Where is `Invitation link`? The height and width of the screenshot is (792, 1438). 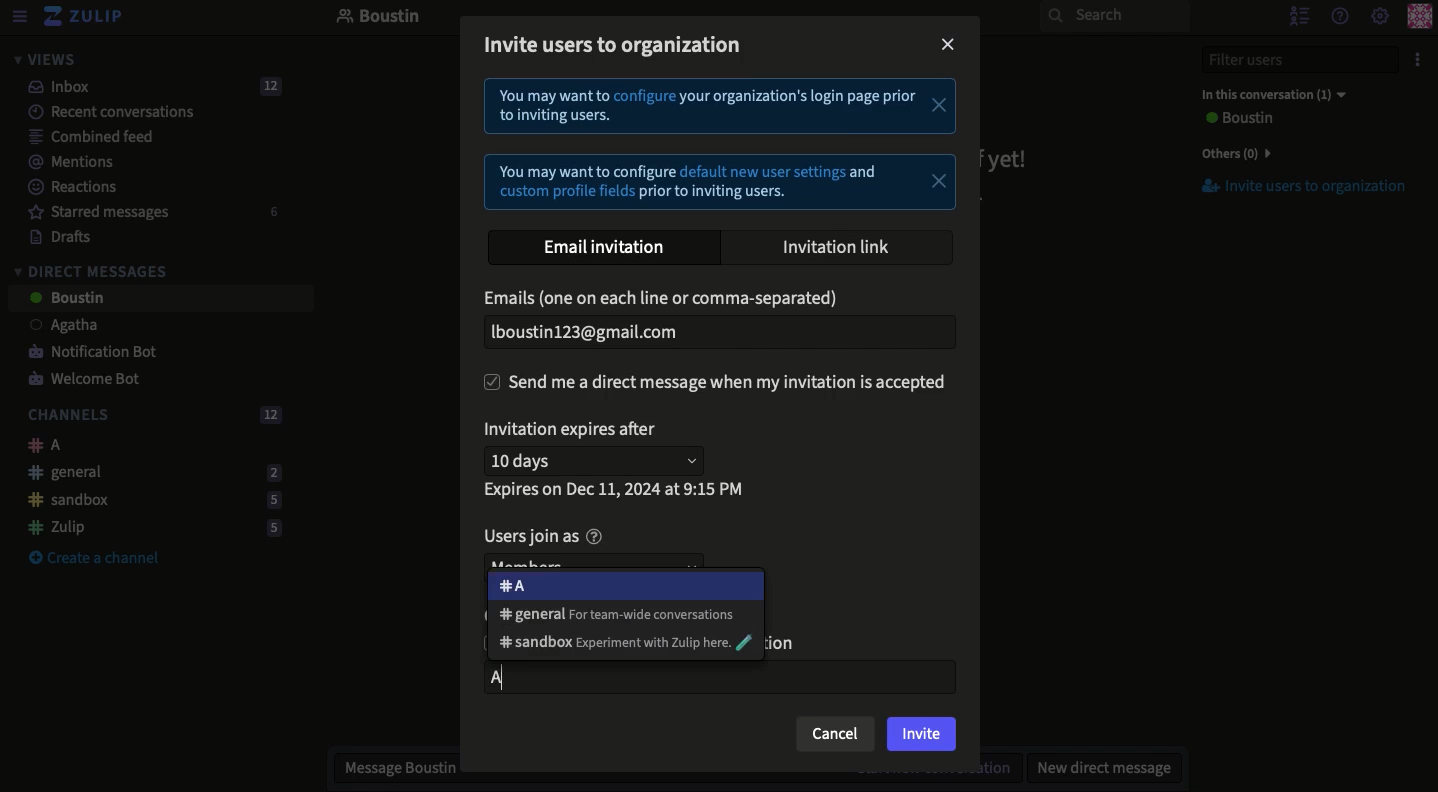
Invitation link is located at coordinates (838, 245).